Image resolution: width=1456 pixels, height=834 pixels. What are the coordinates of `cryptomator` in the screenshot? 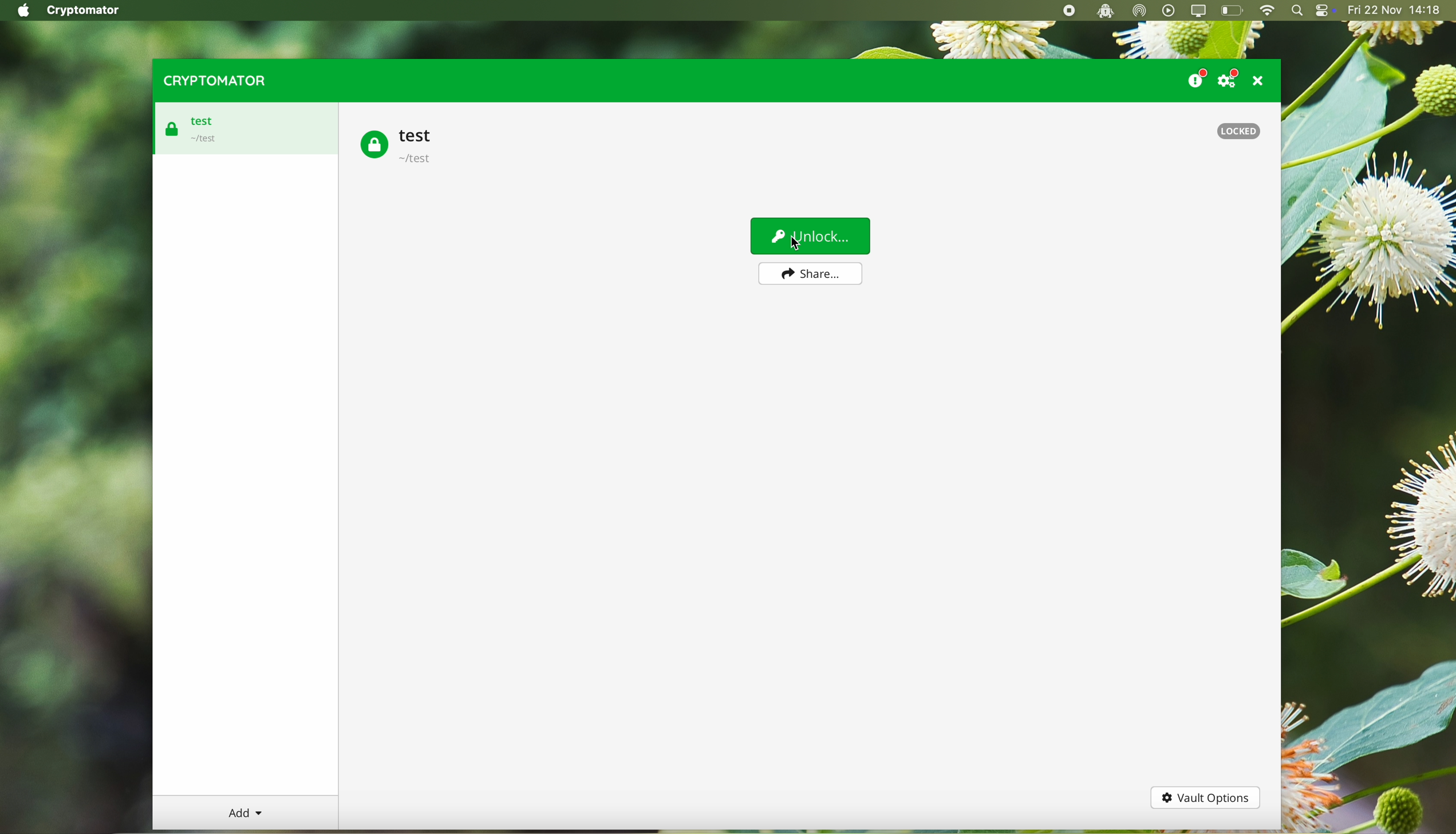 It's located at (212, 80).